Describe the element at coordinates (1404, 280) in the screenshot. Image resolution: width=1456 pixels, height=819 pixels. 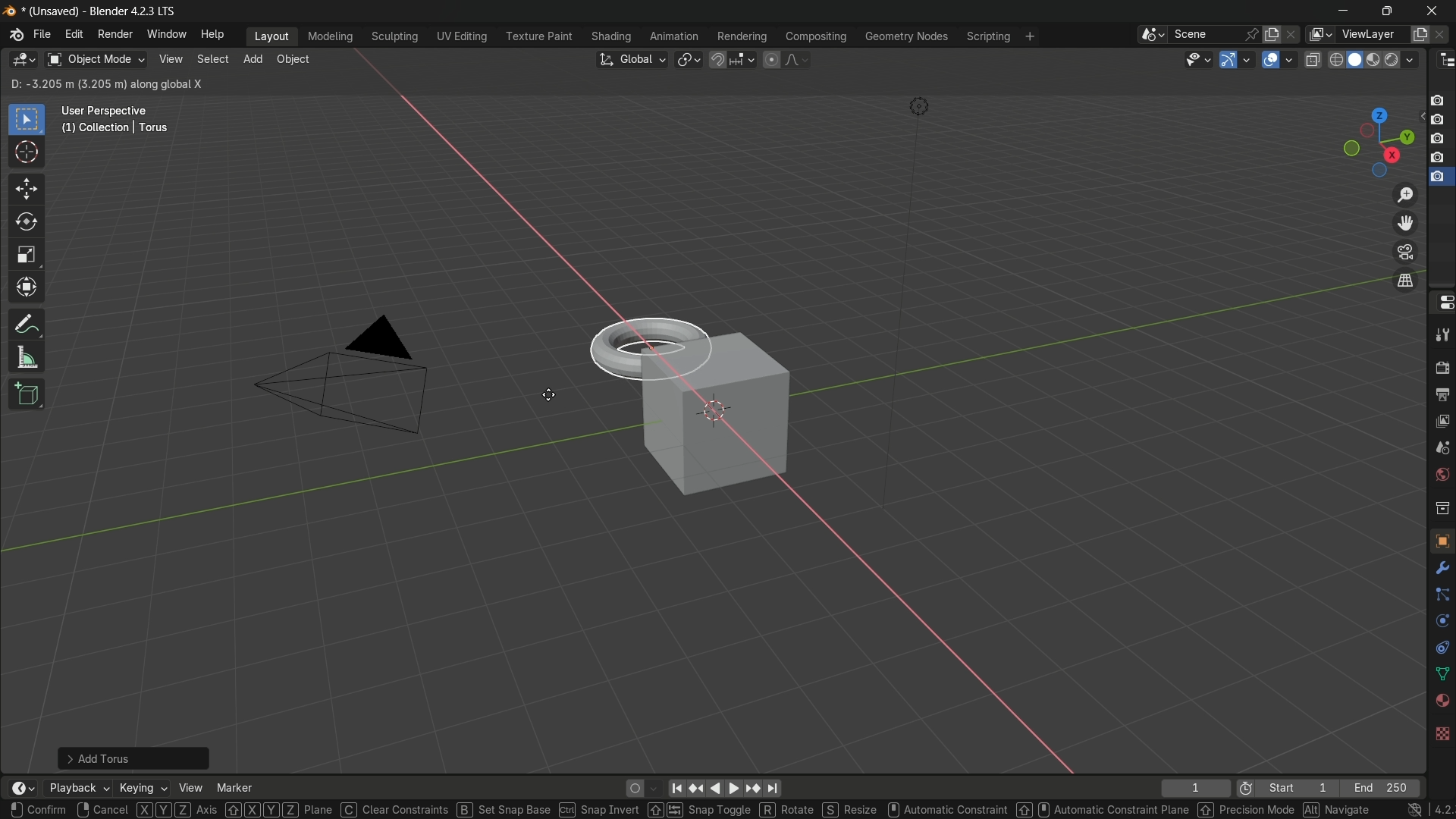
I see `switch the current view` at that location.